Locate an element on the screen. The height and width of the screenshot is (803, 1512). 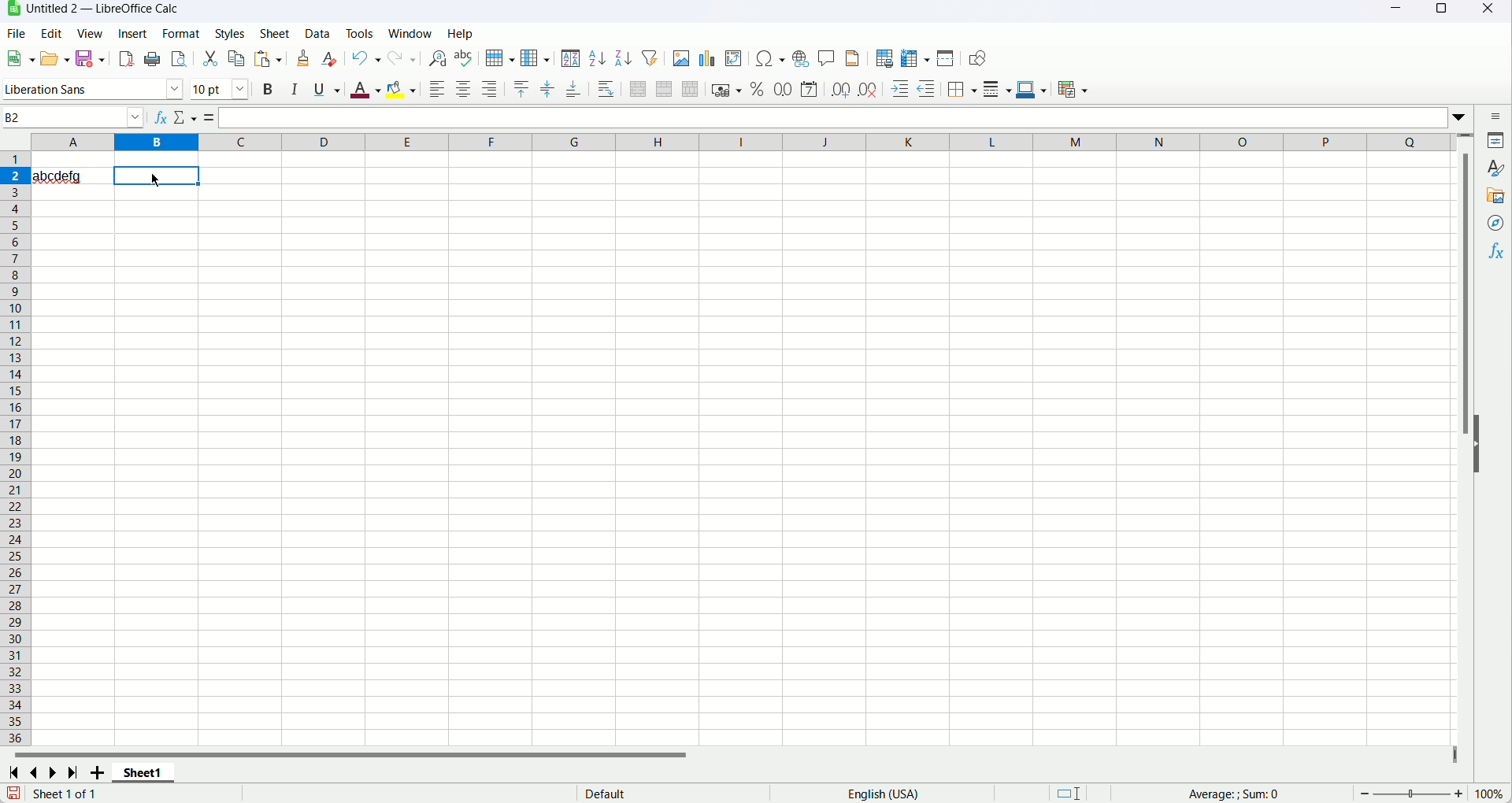
standard selection is located at coordinates (1067, 793).